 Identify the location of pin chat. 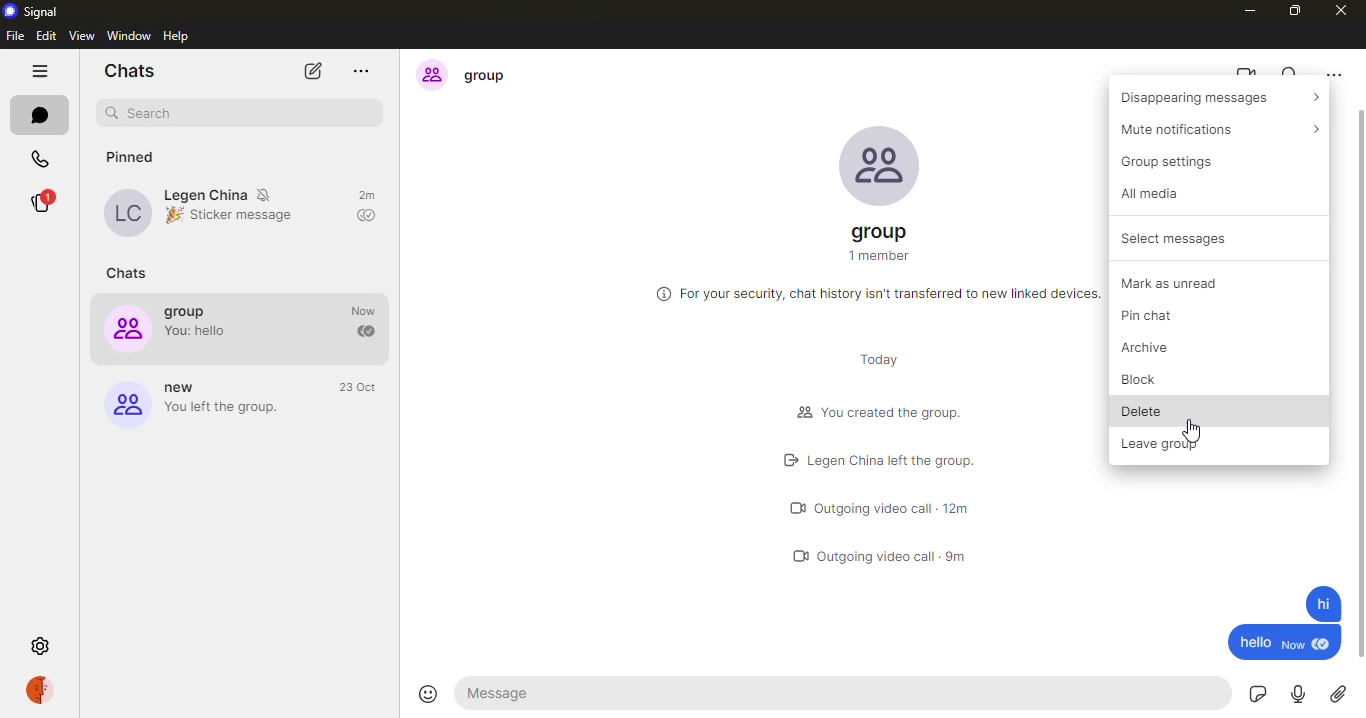
(1154, 316).